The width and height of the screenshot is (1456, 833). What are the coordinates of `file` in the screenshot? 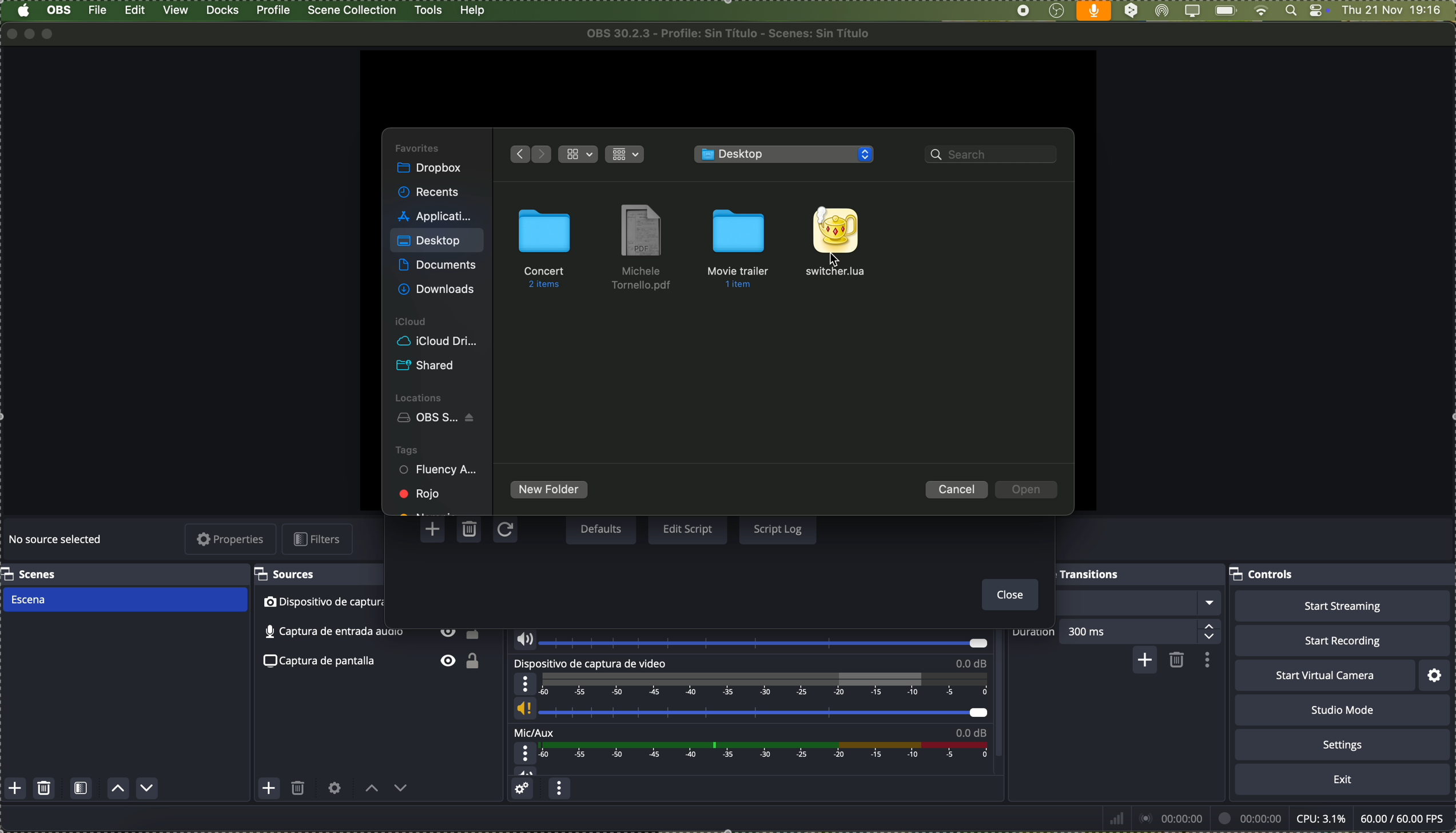 It's located at (99, 10).